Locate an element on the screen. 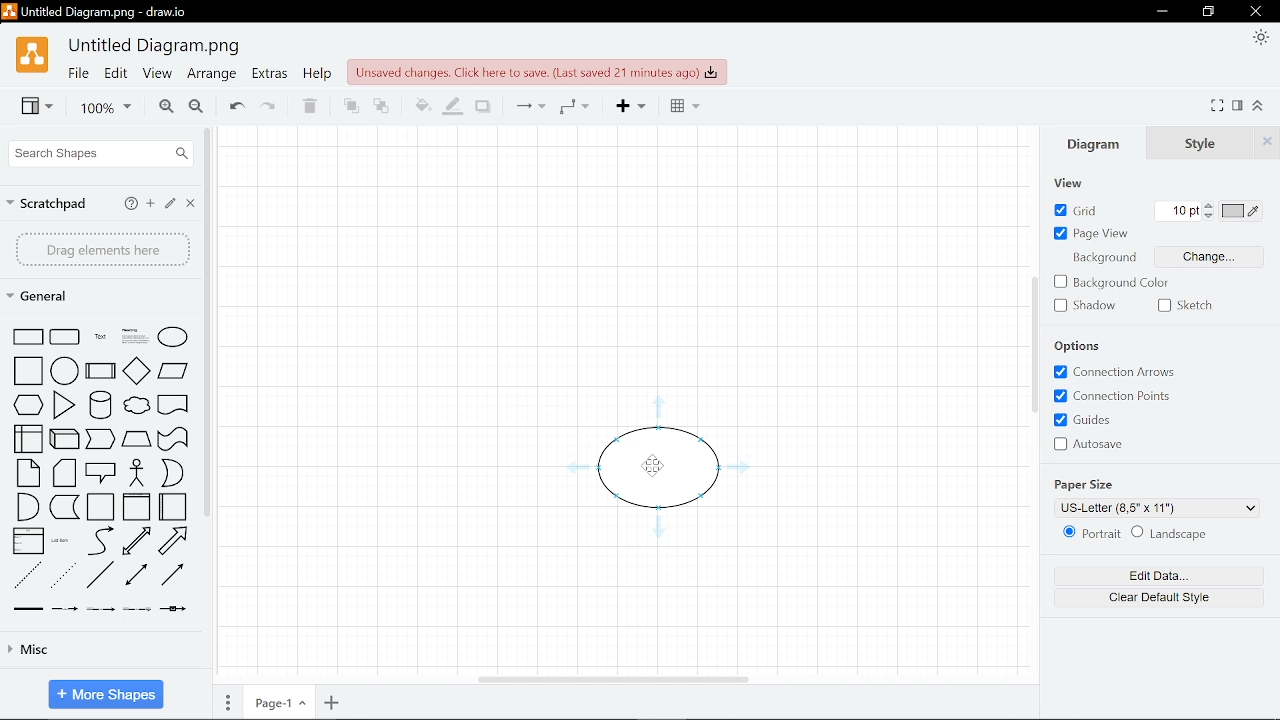 The width and height of the screenshot is (1280, 720). Guides is located at coordinates (1081, 419).